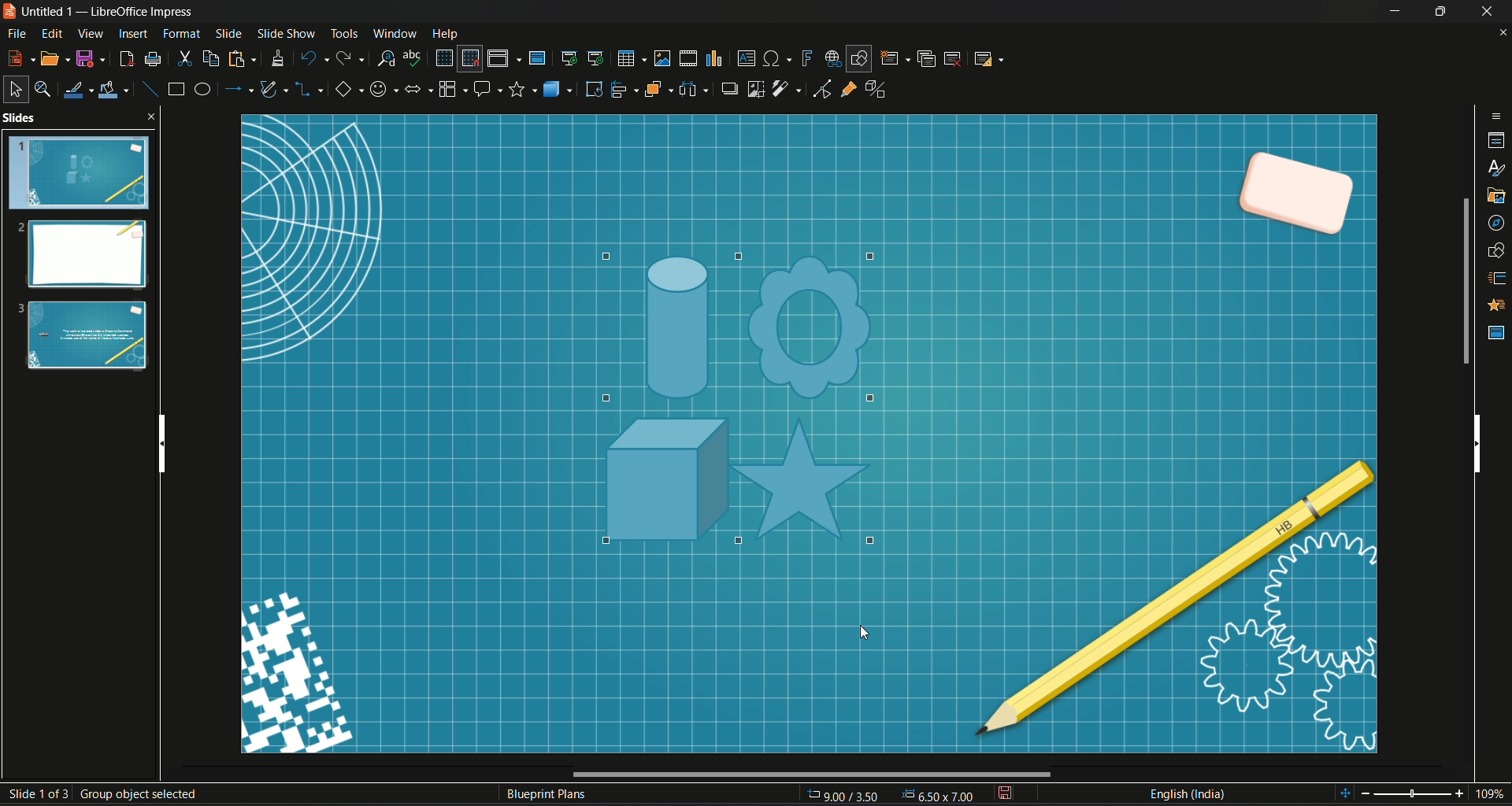  Describe the element at coordinates (1498, 305) in the screenshot. I see `Animation` at that location.